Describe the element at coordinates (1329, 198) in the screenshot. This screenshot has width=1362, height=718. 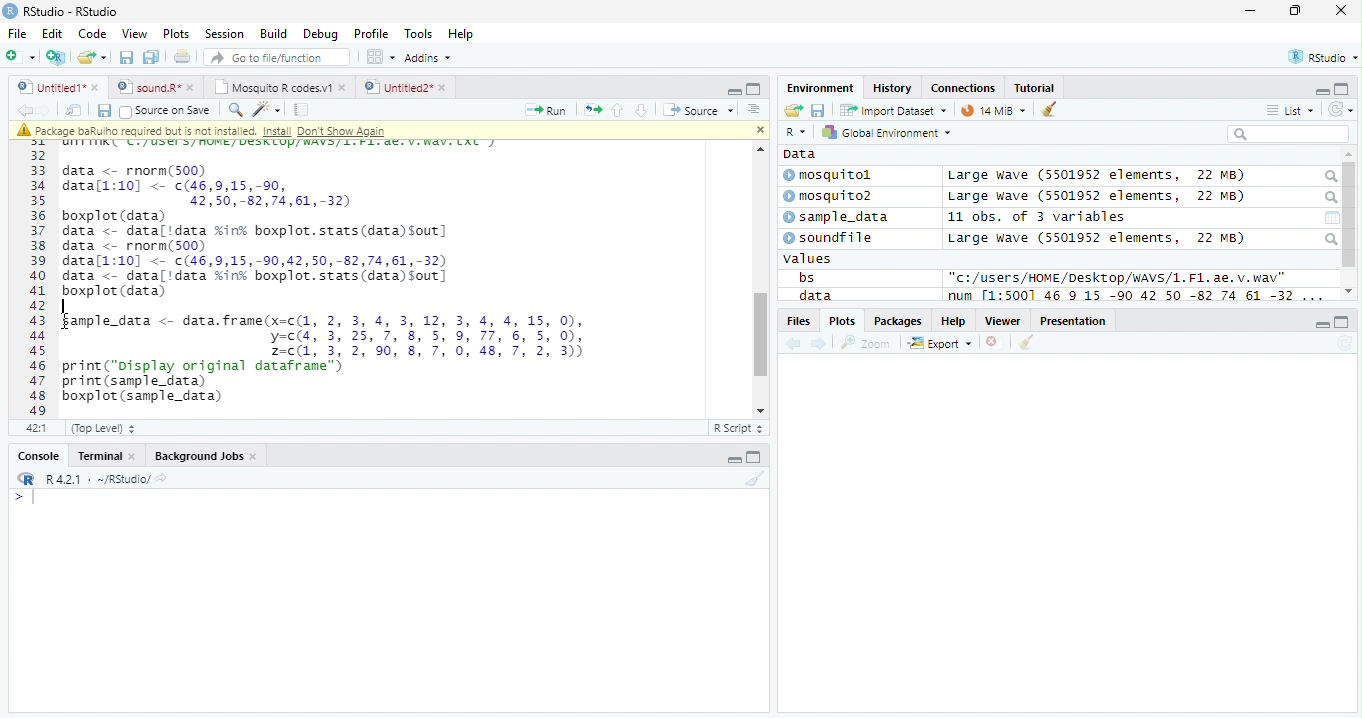
I see `search` at that location.